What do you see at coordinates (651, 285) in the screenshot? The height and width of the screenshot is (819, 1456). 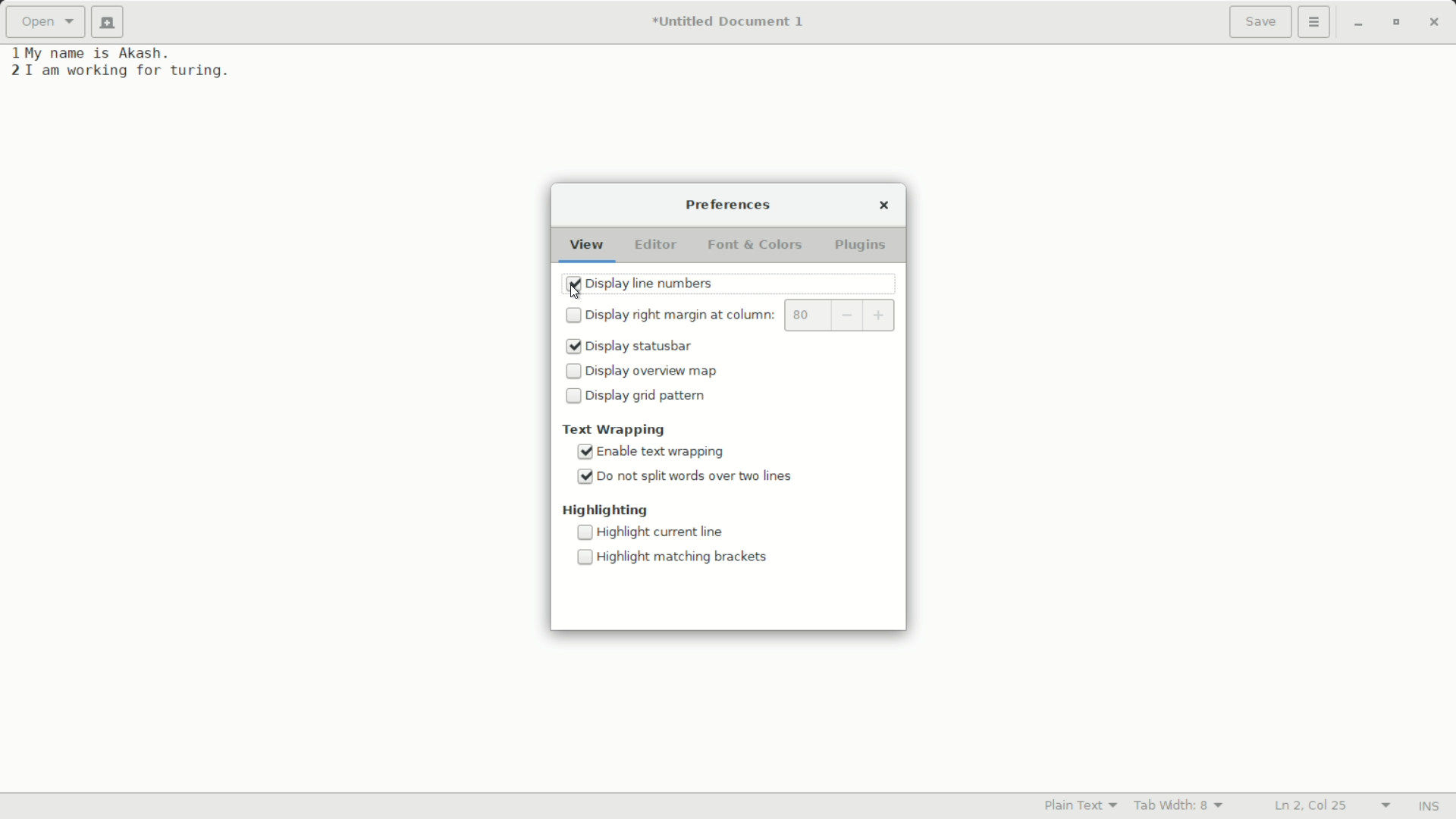 I see `display line numbers` at bounding box center [651, 285].